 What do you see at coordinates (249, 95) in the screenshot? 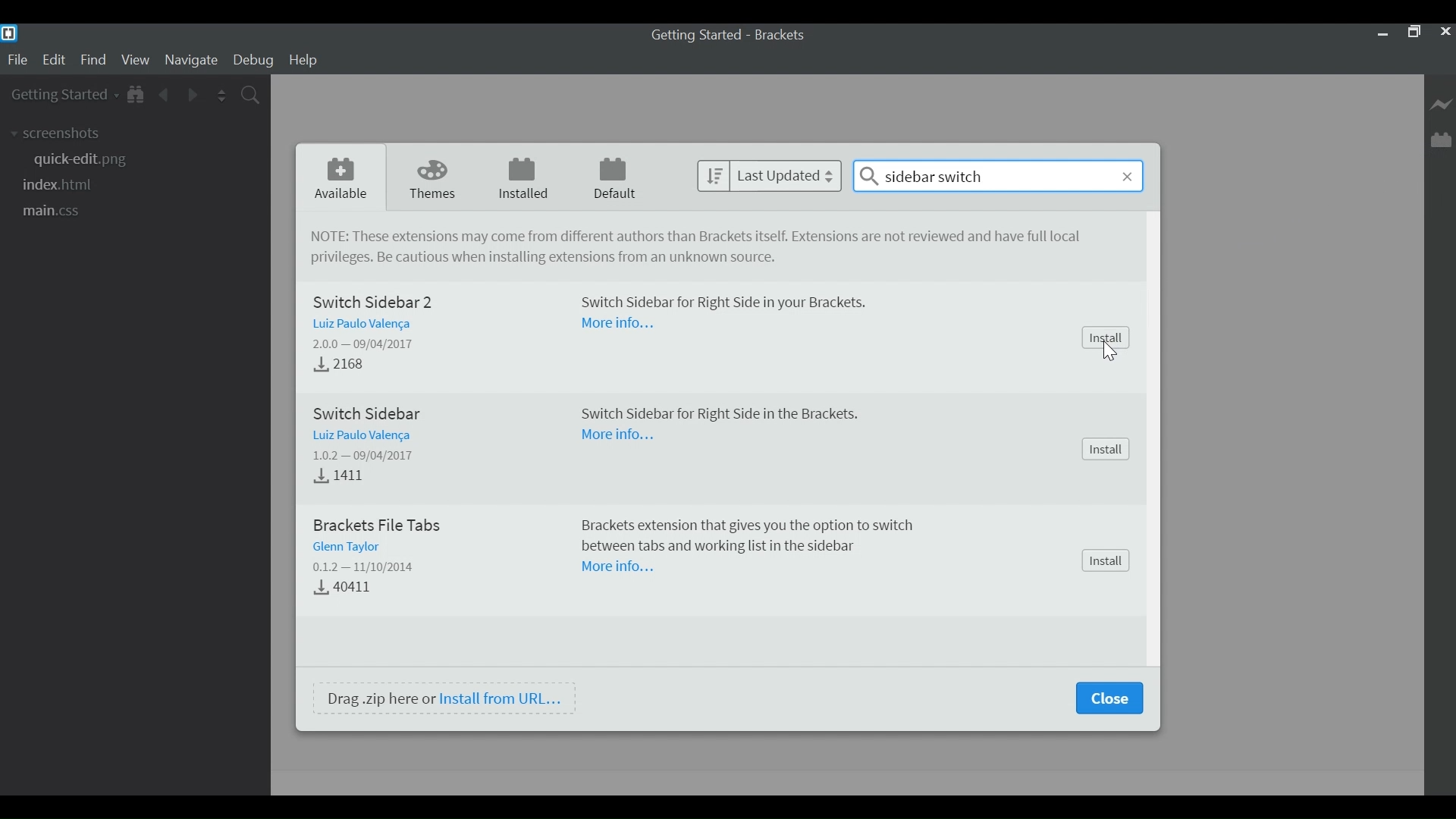
I see `Find in Files` at bounding box center [249, 95].